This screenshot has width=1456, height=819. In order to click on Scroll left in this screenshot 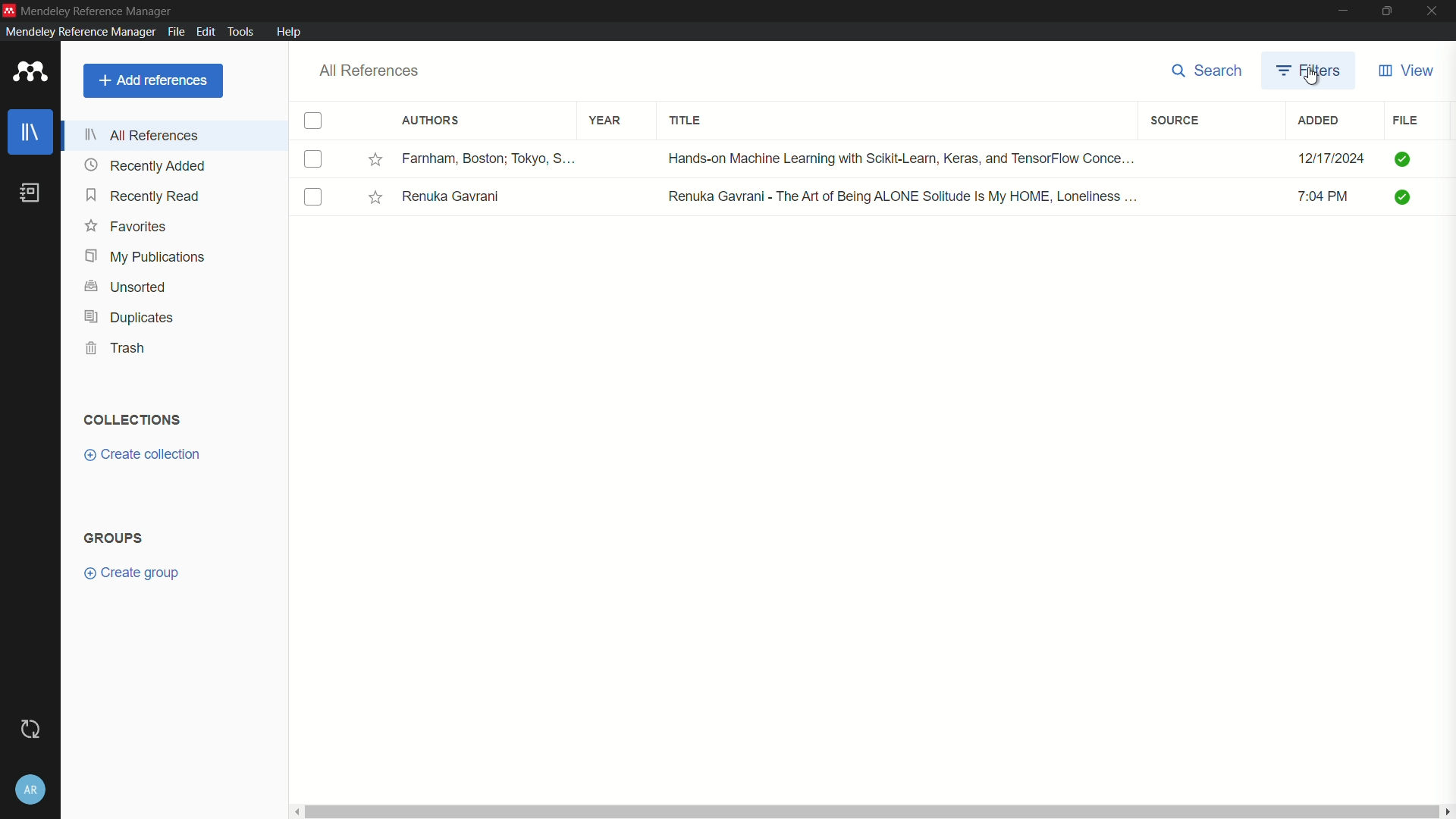, I will do `click(294, 810)`.